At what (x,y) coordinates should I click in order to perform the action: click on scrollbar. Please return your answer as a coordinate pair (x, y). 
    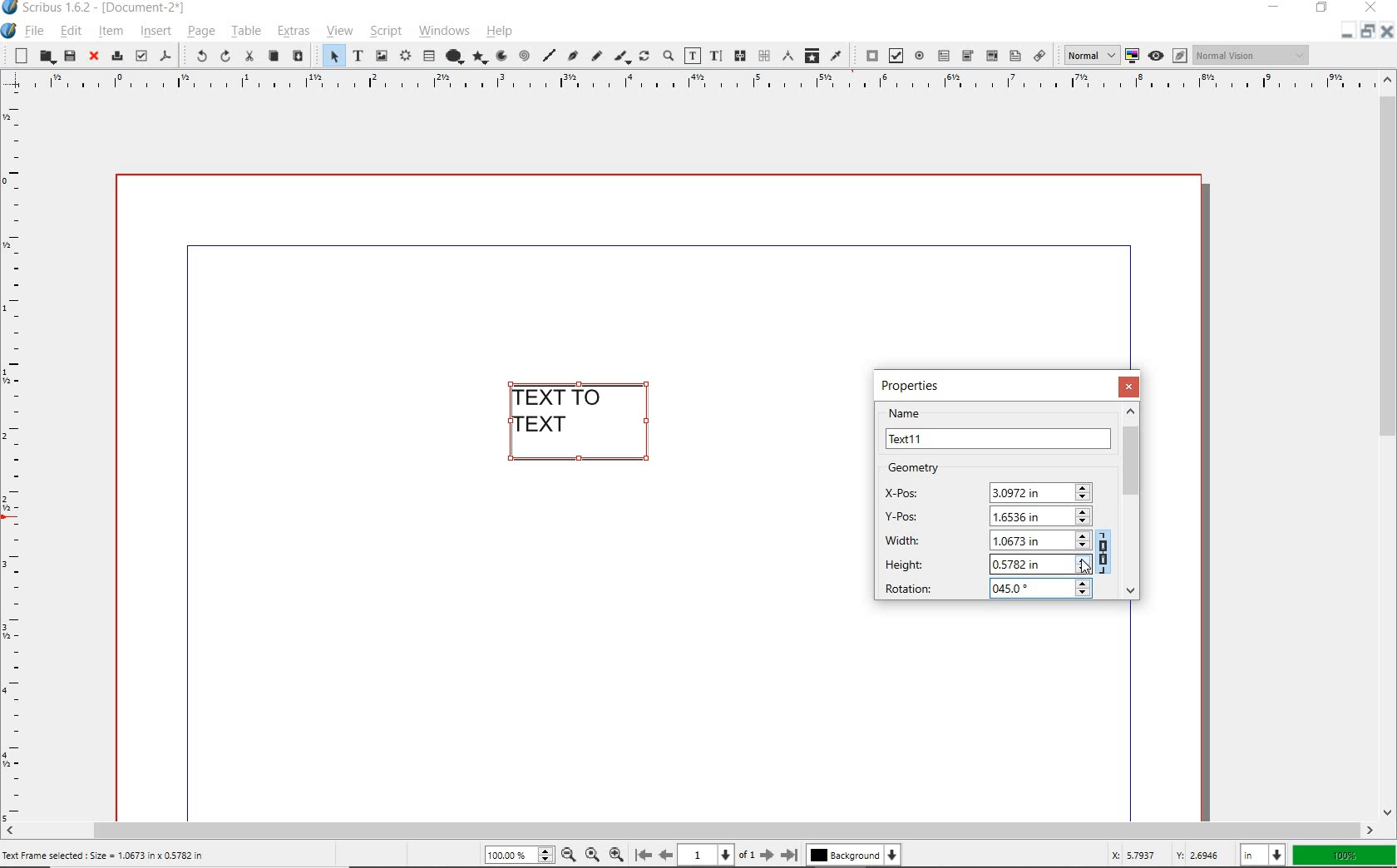
    Looking at the image, I should click on (1389, 445).